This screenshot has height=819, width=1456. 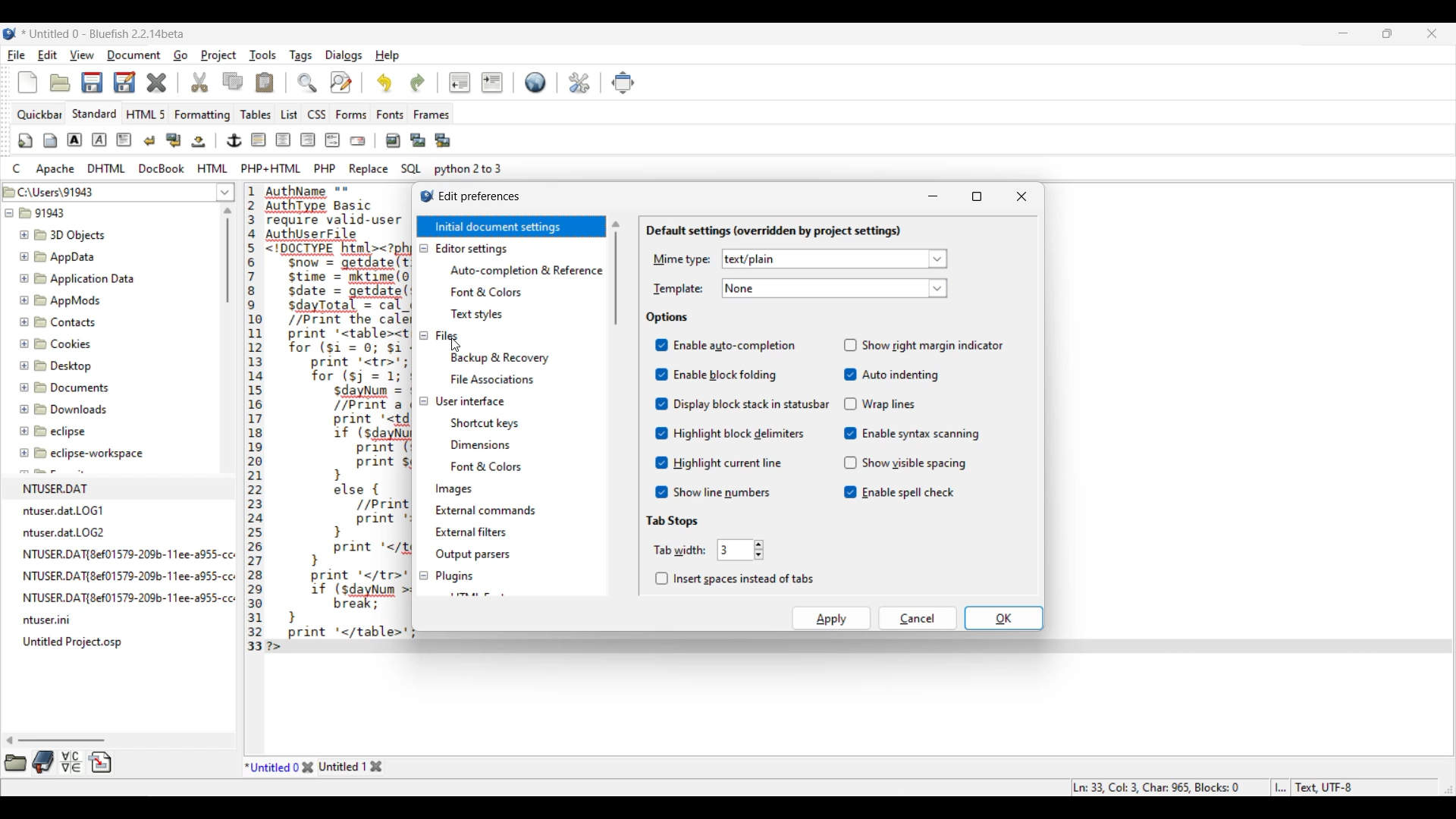 What do you see at coordinates (455, 489) in the screenshot?
I see `Images` at bounding box center [455, 489].